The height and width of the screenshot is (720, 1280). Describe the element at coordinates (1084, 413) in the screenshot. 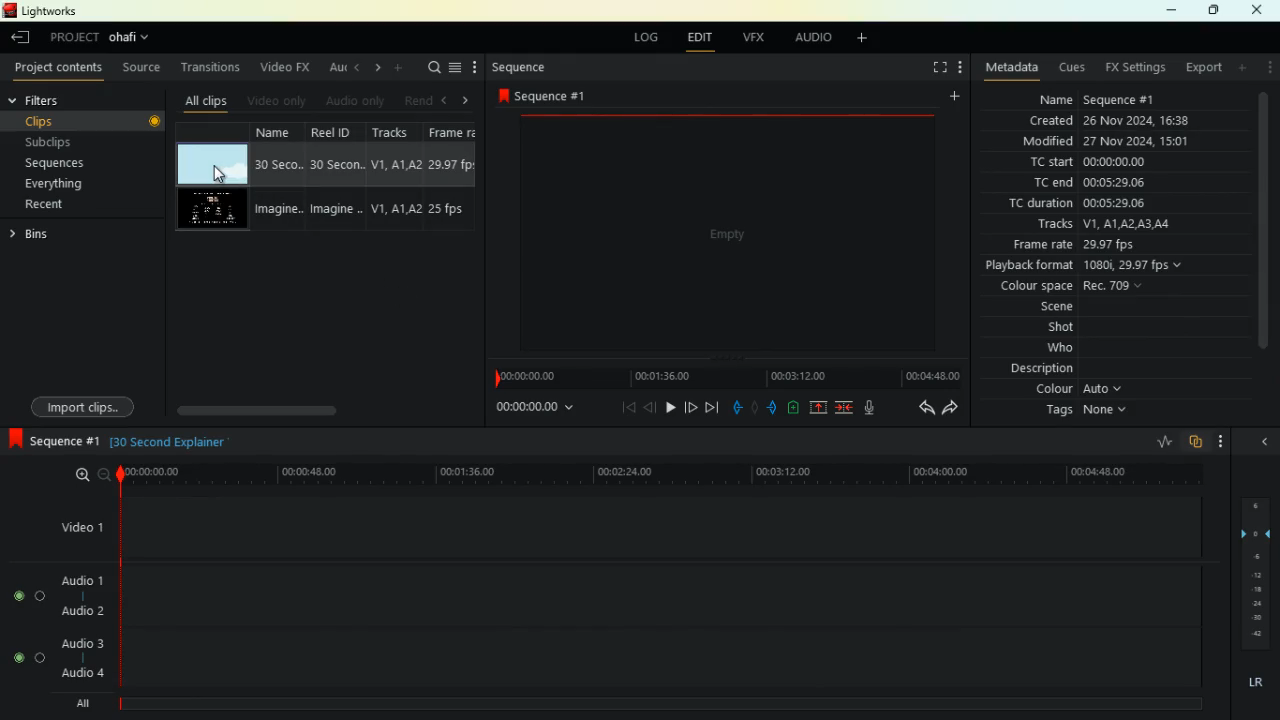

I see `tags none` at that location.